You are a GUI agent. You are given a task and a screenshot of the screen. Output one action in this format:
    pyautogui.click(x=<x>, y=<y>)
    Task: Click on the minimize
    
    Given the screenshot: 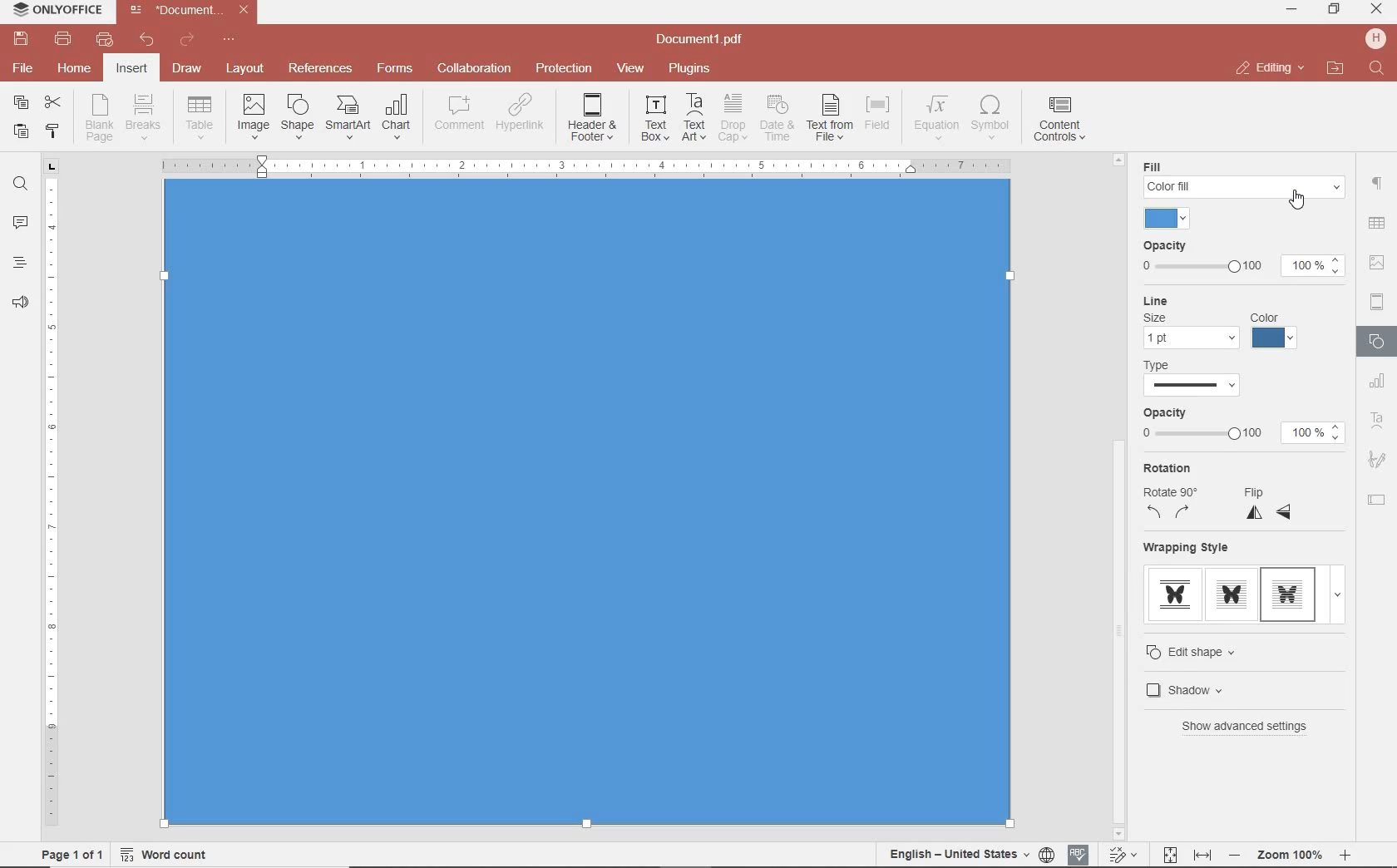 What is the action you would take?
    pyautogui.click(x=1293, y=9)
    